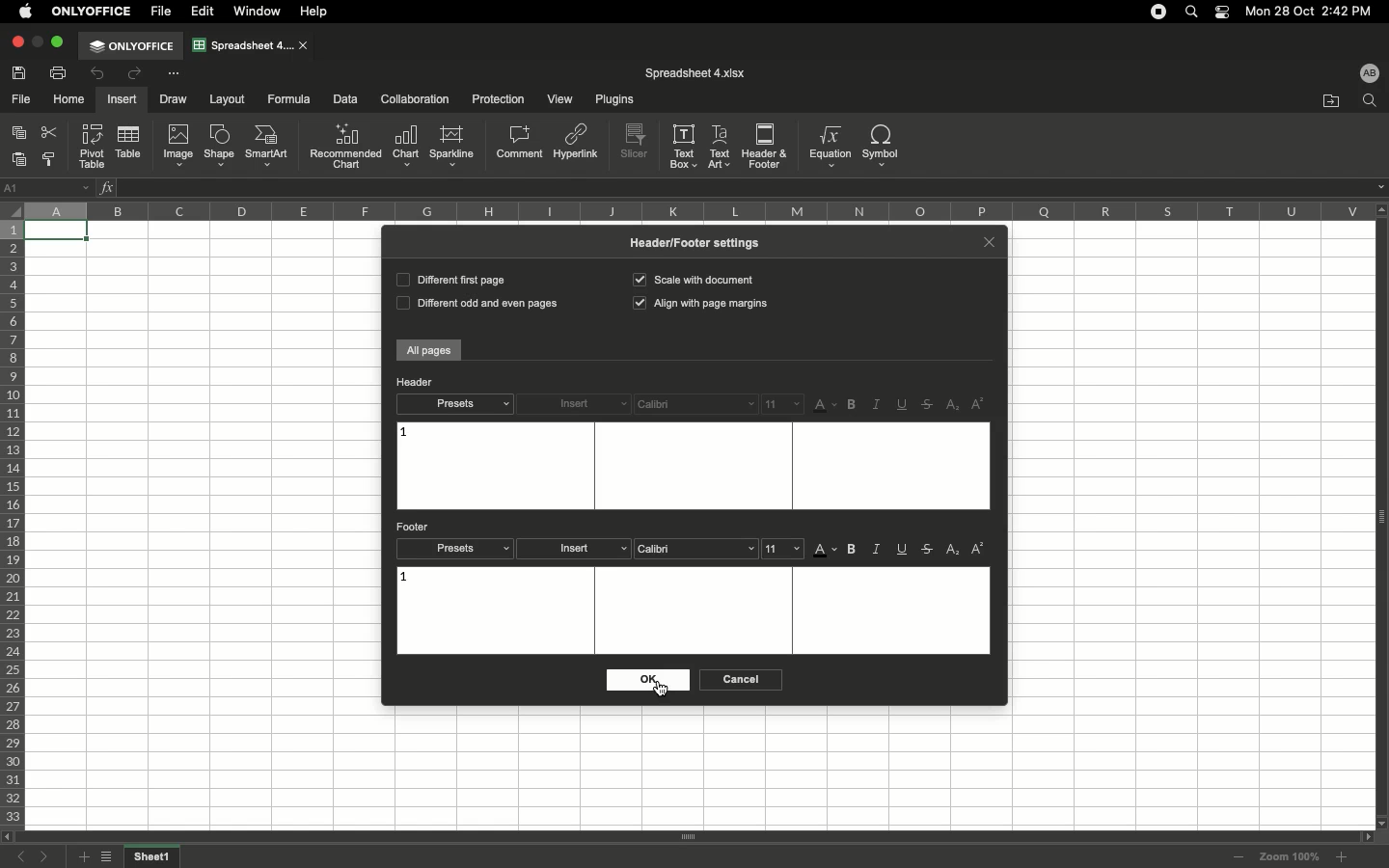  Describe the element at coordinates (696, 610) in the screenshot. I see `Text box` at that location.